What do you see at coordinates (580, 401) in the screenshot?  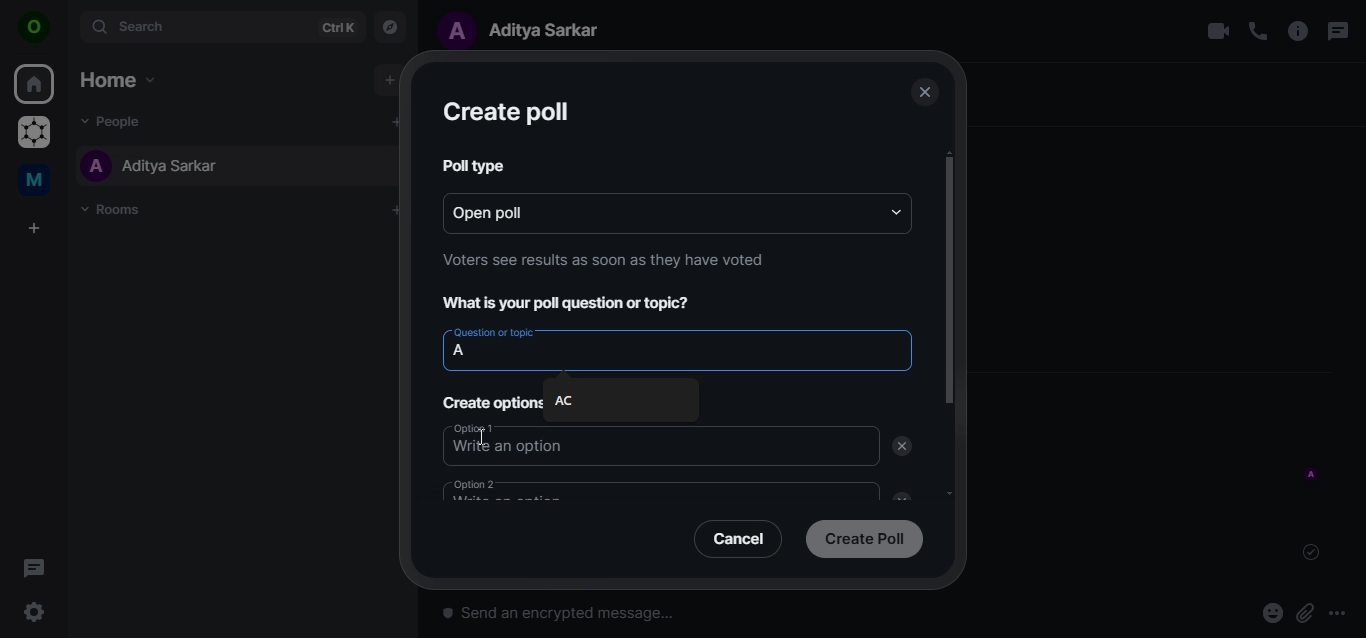 I see `ac` at bounding box center [580, 401].